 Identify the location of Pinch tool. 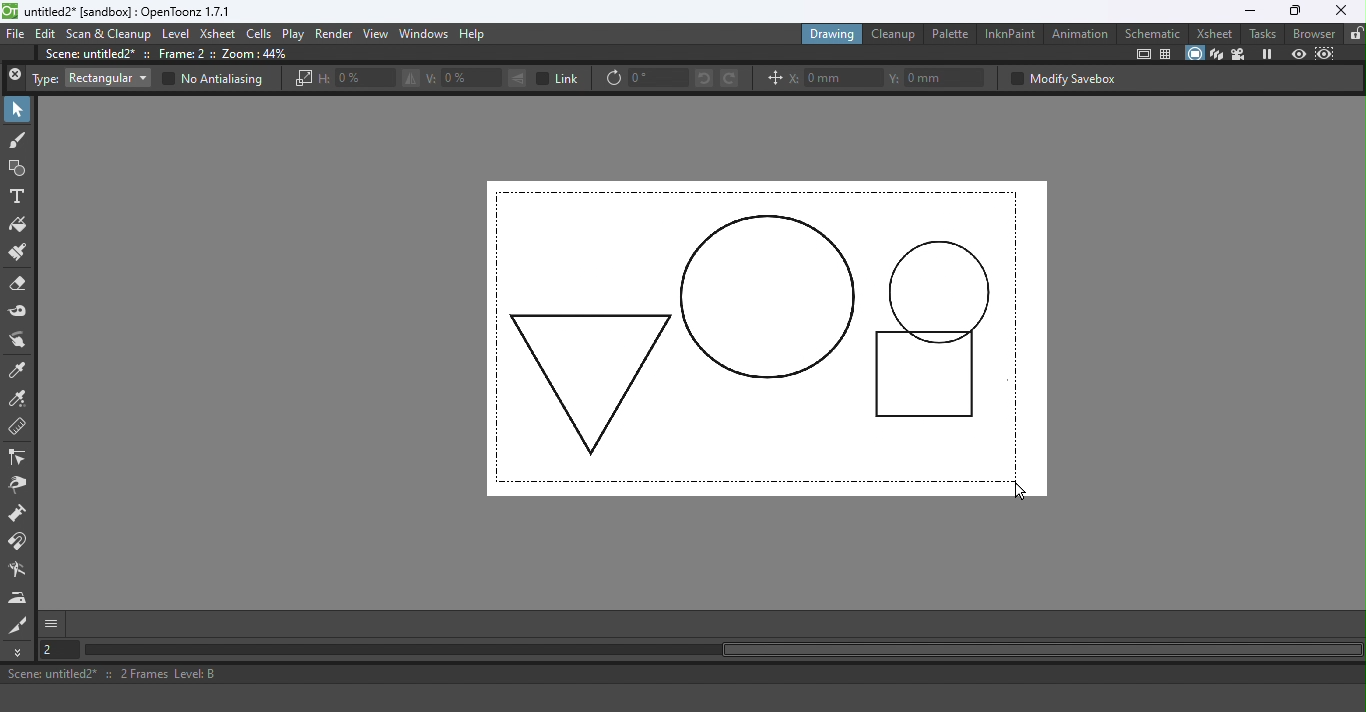
(18, 487).